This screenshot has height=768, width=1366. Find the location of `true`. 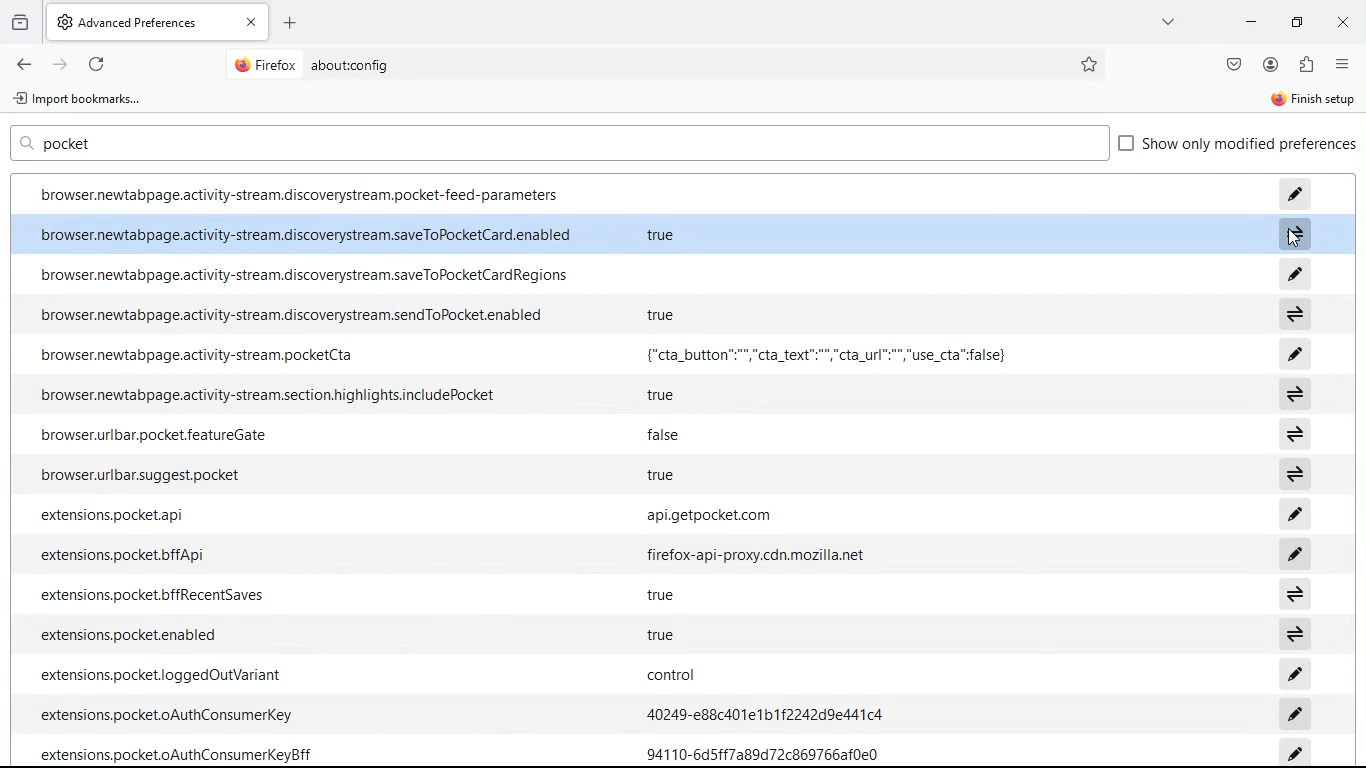

true is located at coordinates (667, 312).